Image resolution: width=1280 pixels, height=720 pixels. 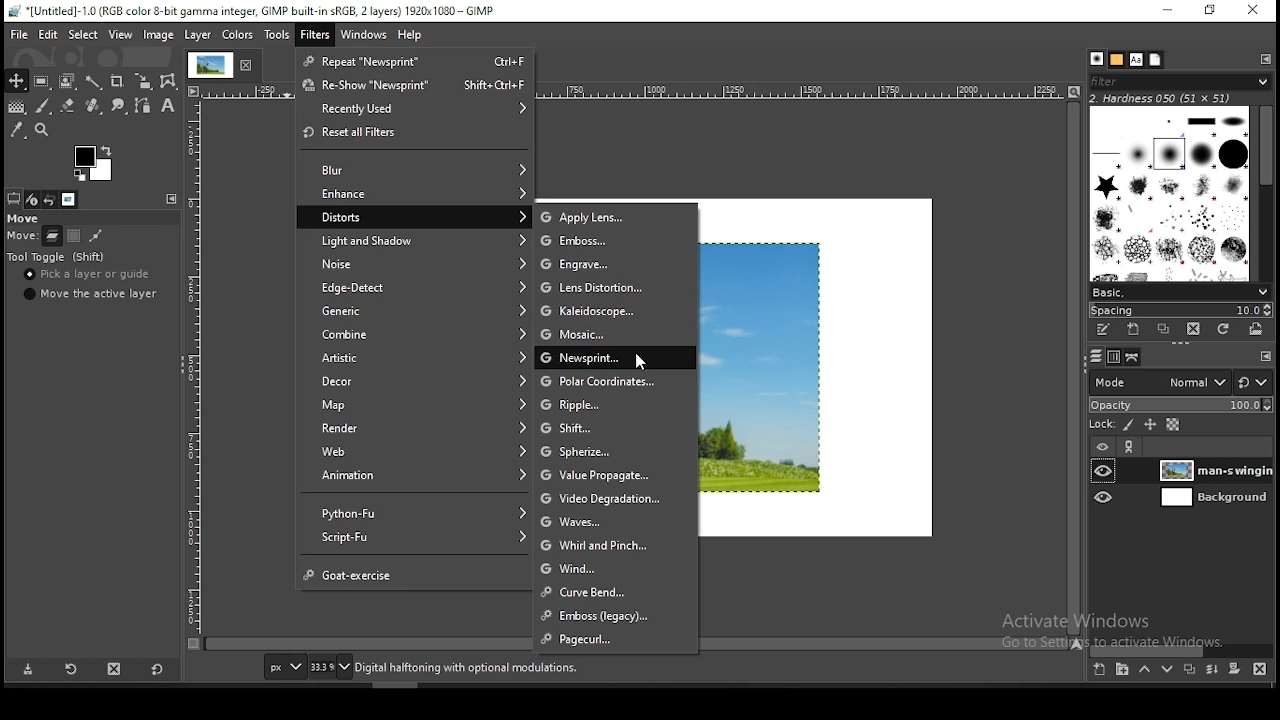 I want to click on healing tool, so click(x=93, y=106).